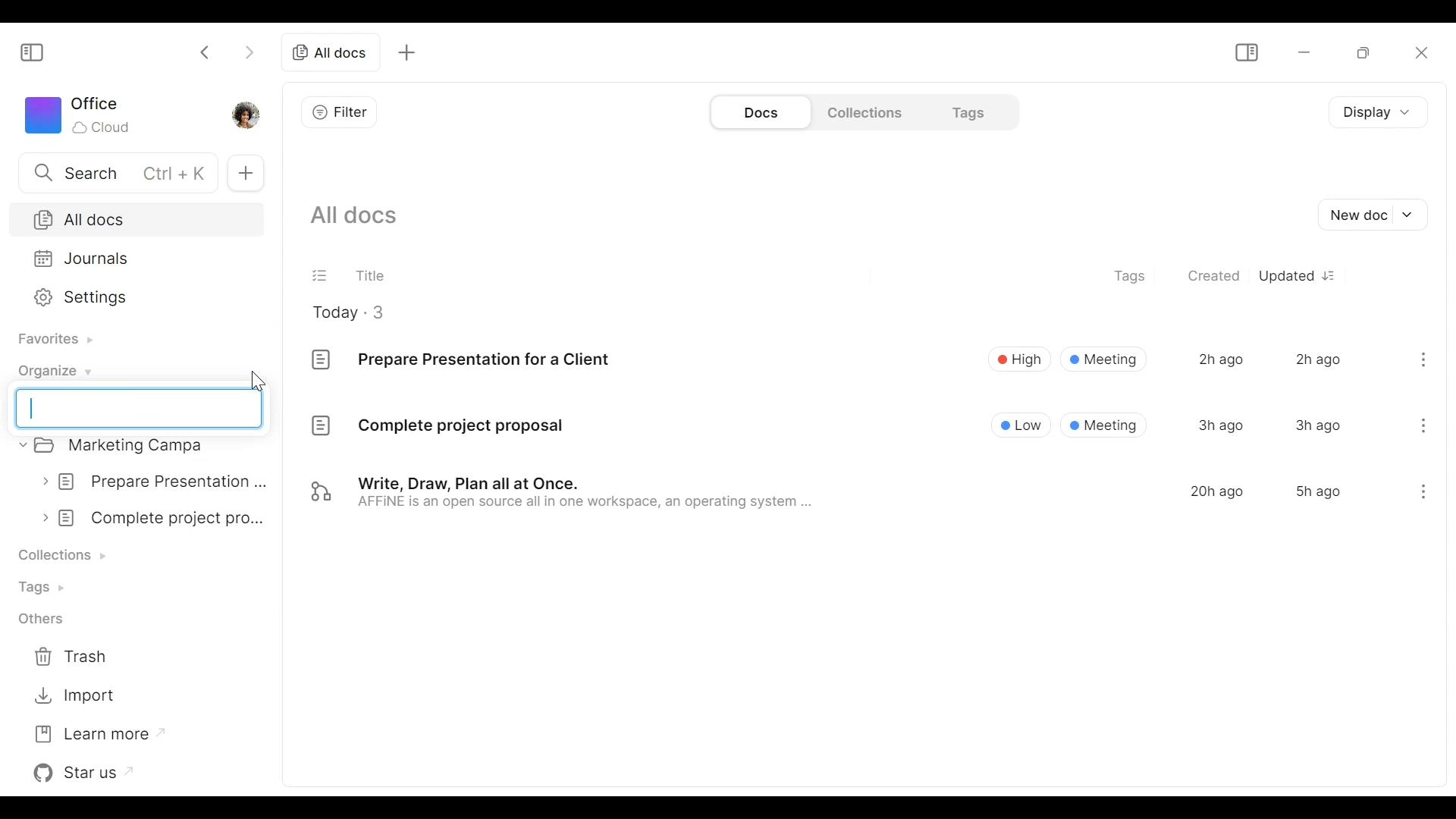 The image size is (1456, 819). Describe the element at coordinates (1104, 359) in the screenshot. I see `Meeting` at that location.